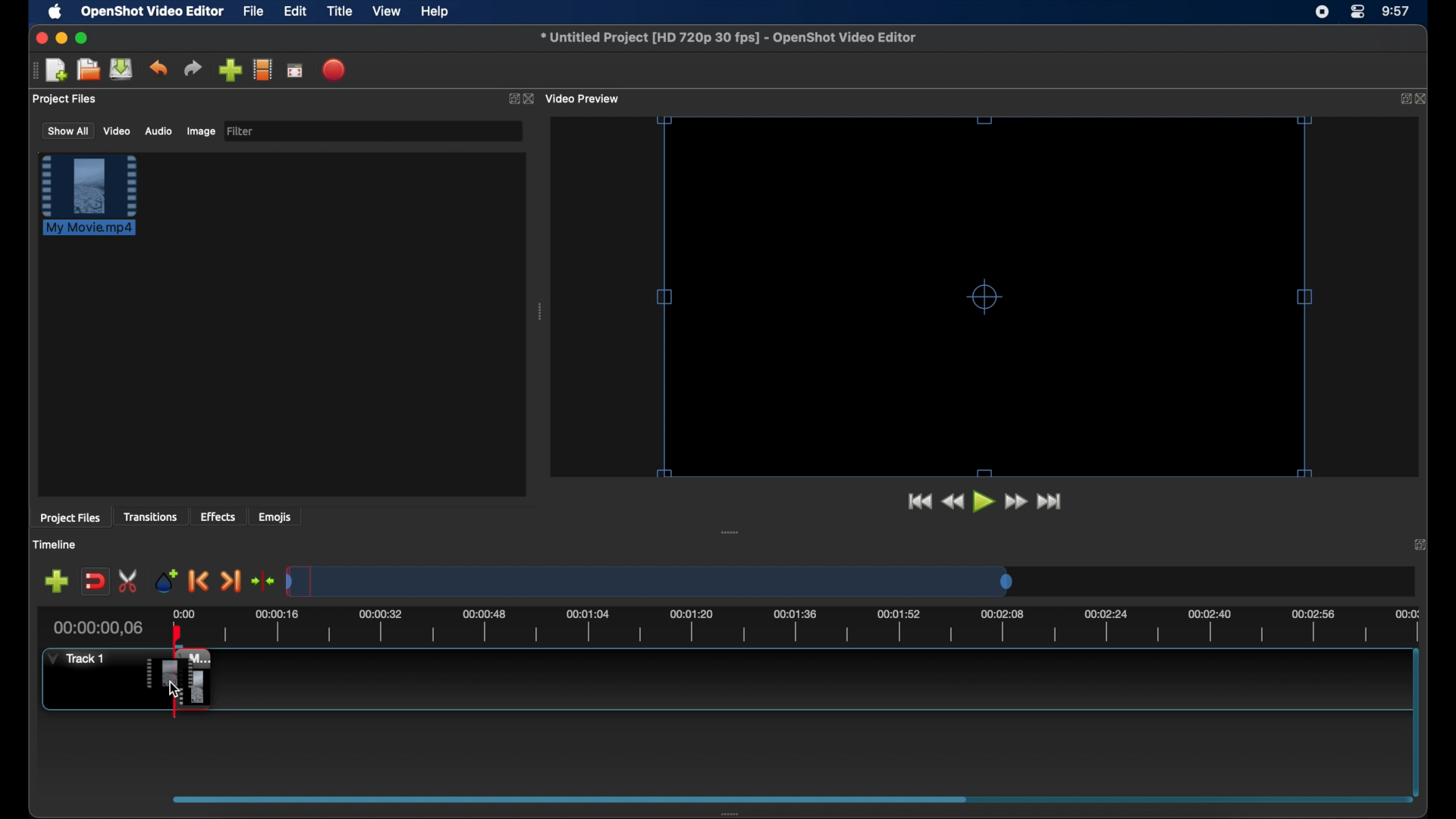  What do you see at coordinates (56, 582) in the screenshot?
I see `add track` at bounding box center [56, 582].